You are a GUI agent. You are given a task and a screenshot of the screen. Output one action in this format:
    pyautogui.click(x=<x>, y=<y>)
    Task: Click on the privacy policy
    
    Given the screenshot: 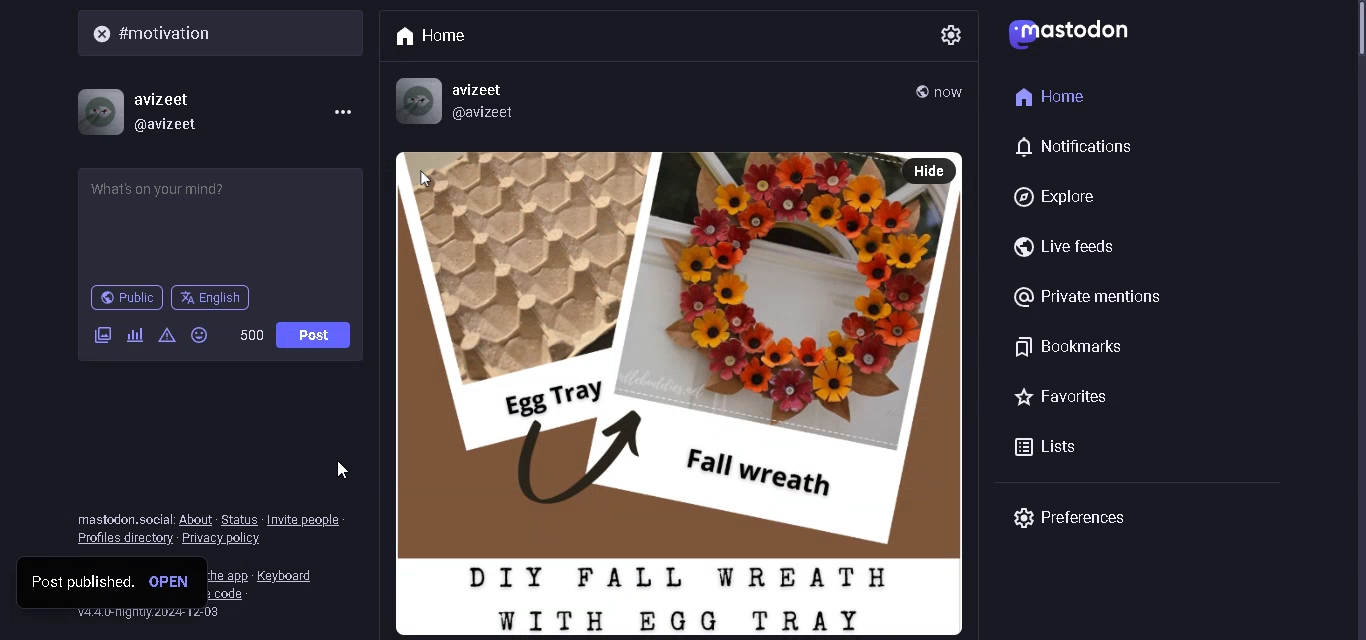 What is the action you would take?
    pyautogui.click(x=229, y=539)
    